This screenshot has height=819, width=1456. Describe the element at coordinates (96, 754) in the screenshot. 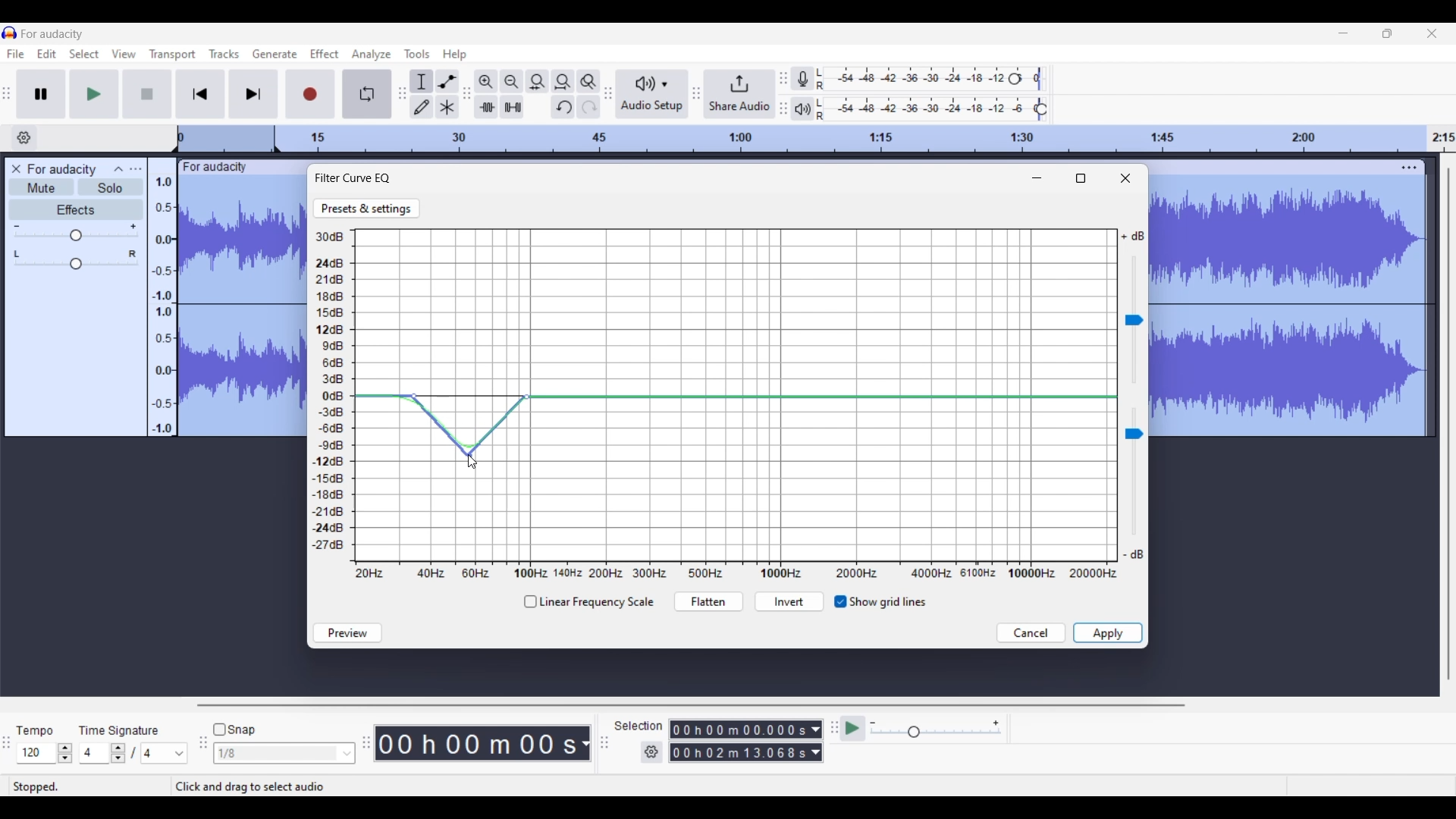

I see `Type in time signature` at that location.